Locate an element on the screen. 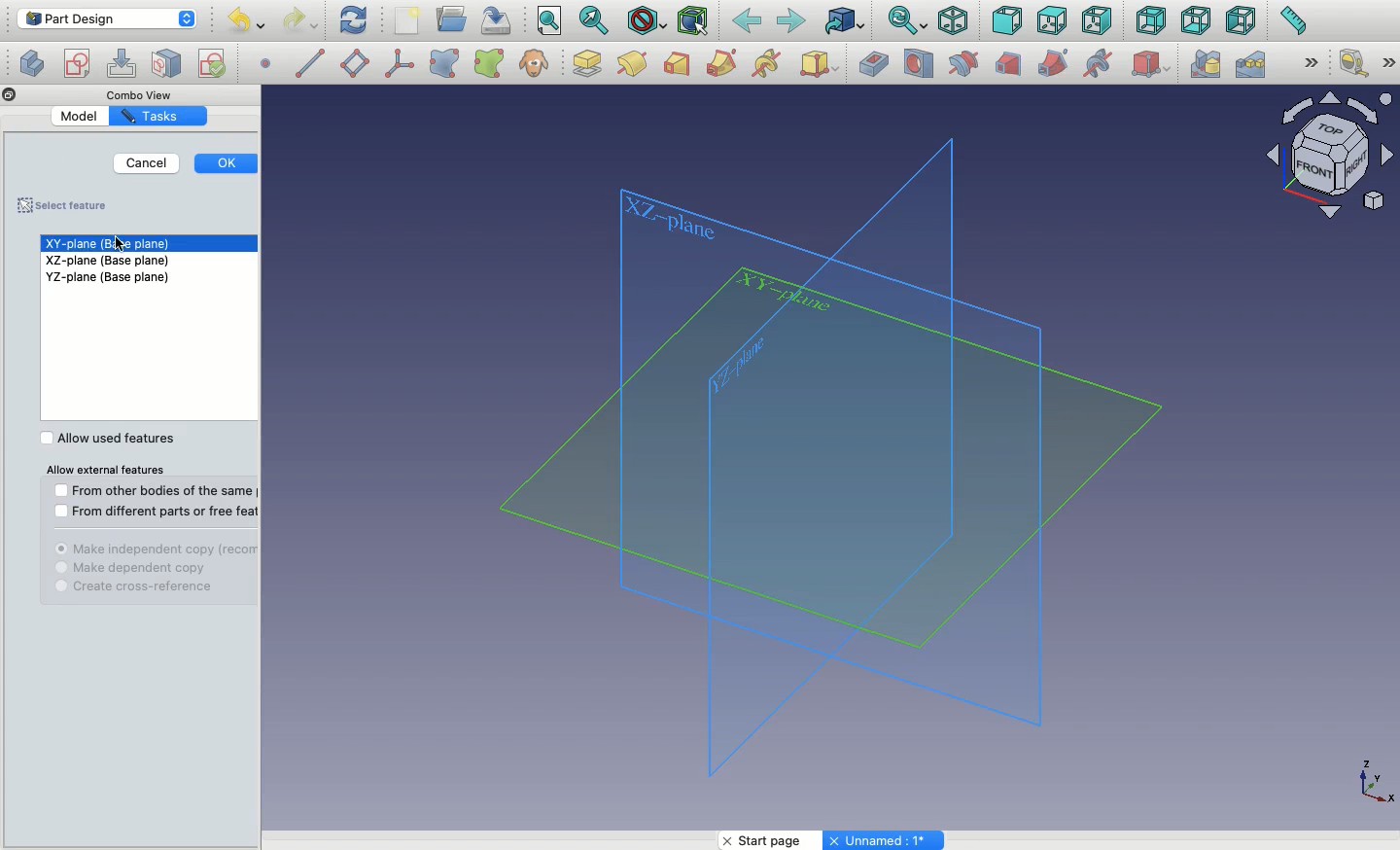 The height and width of the screenshot is (850, 1400). Back is located at coordinates (1152, 20).